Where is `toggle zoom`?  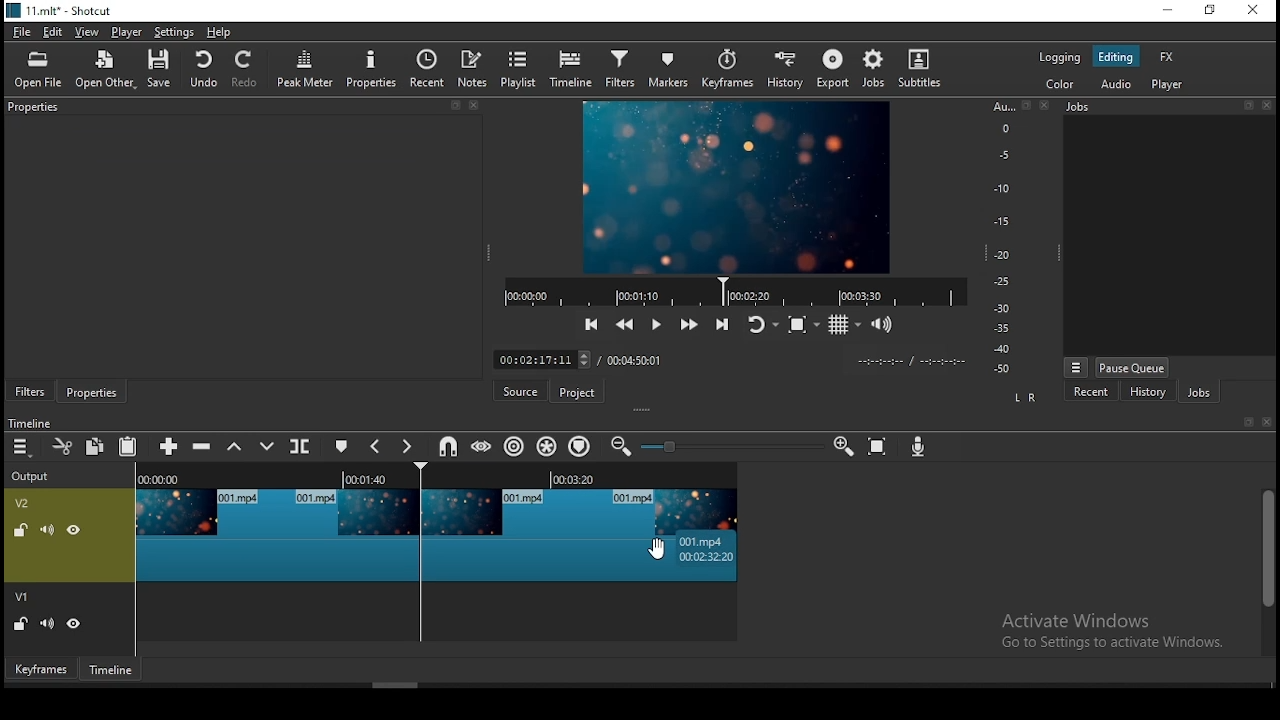 toggle zoom is located at coordinates (802, 323).